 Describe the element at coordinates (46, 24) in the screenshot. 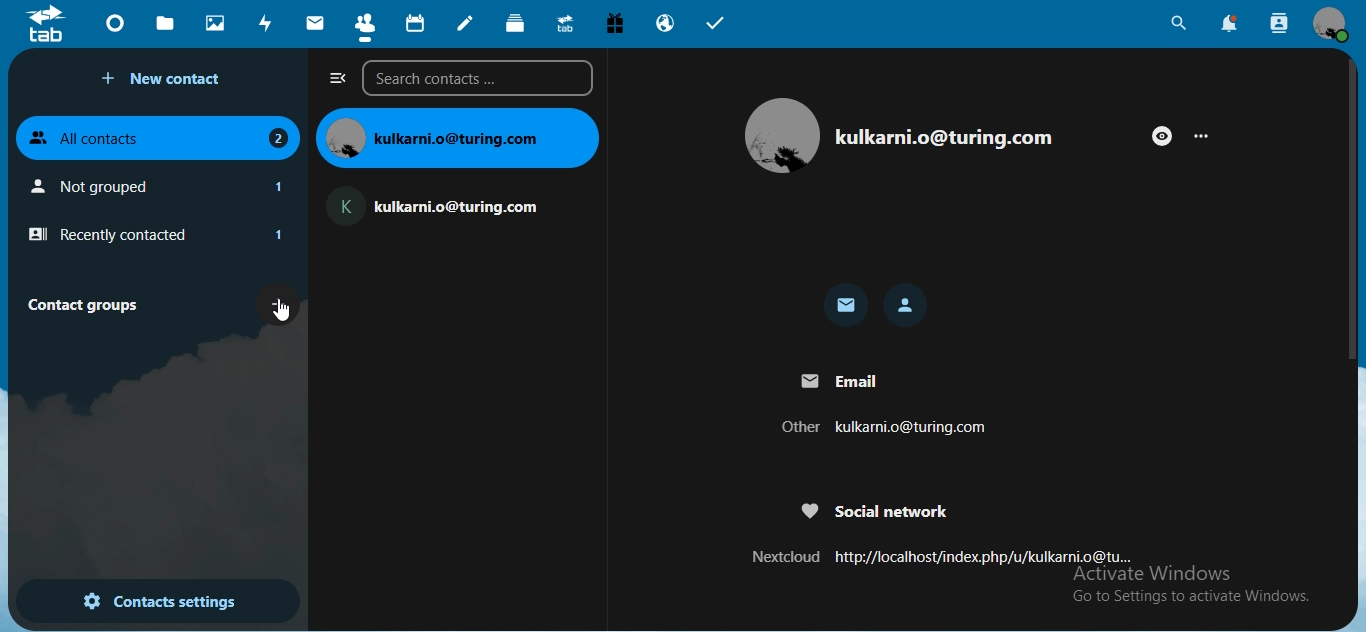

I see `icon` at that location.